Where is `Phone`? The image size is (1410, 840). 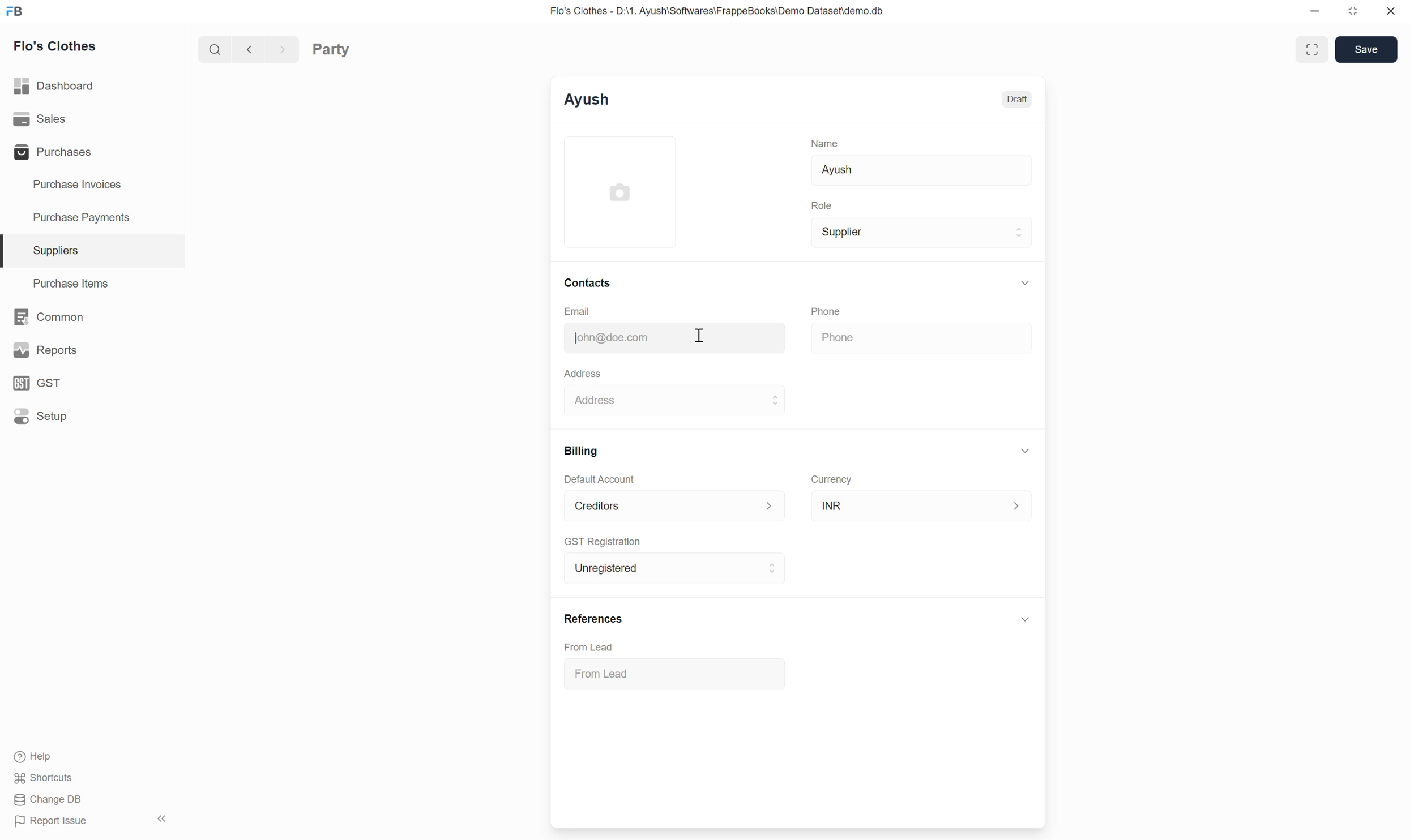
Phone is located at coordinates (921, 338).